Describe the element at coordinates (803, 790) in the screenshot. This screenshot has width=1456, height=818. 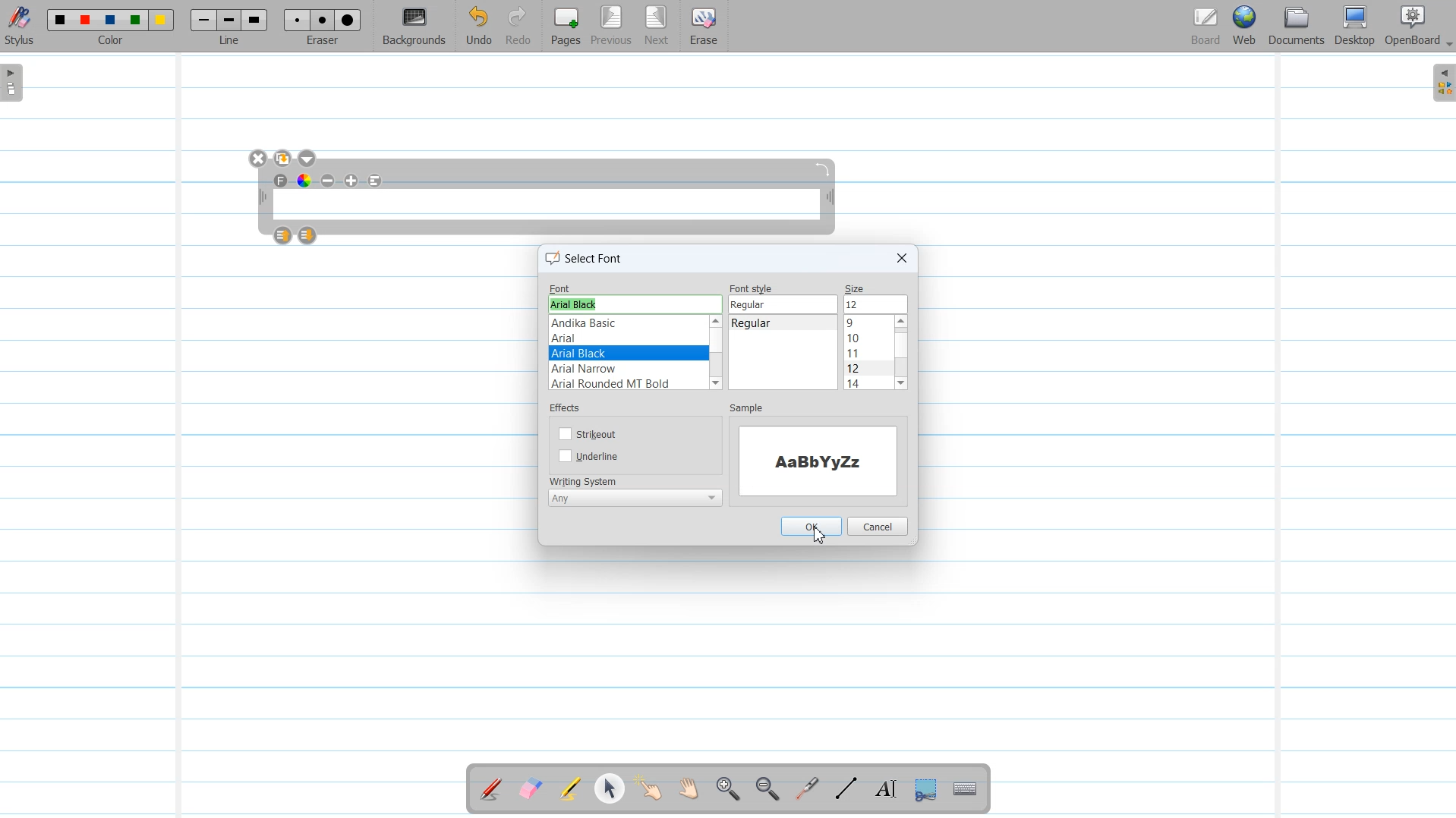
I see `Virtual Laser Pointer` at that location.